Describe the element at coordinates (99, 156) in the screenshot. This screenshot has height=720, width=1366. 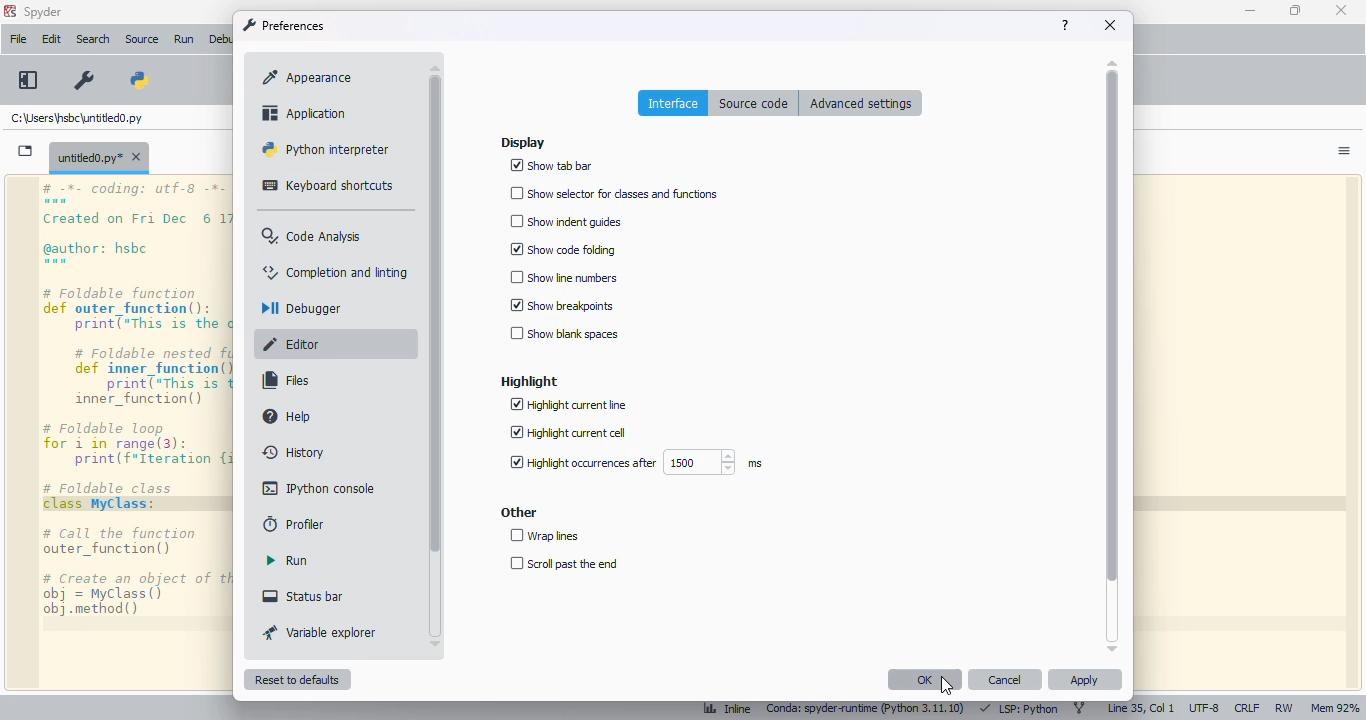
I see `untitled0.py` at that location.